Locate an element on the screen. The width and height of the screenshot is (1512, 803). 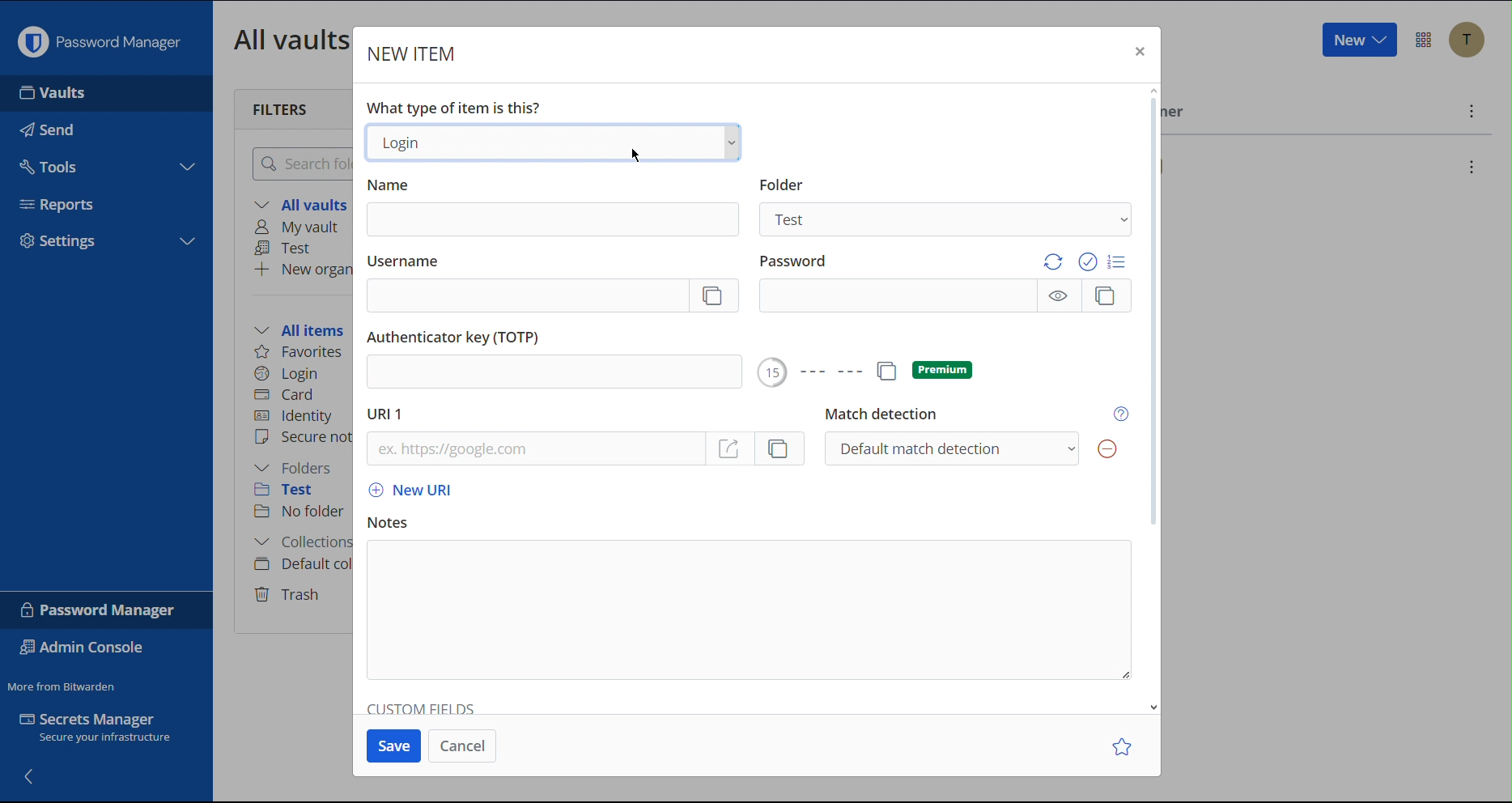
Username is located at coordinates (402, 263).